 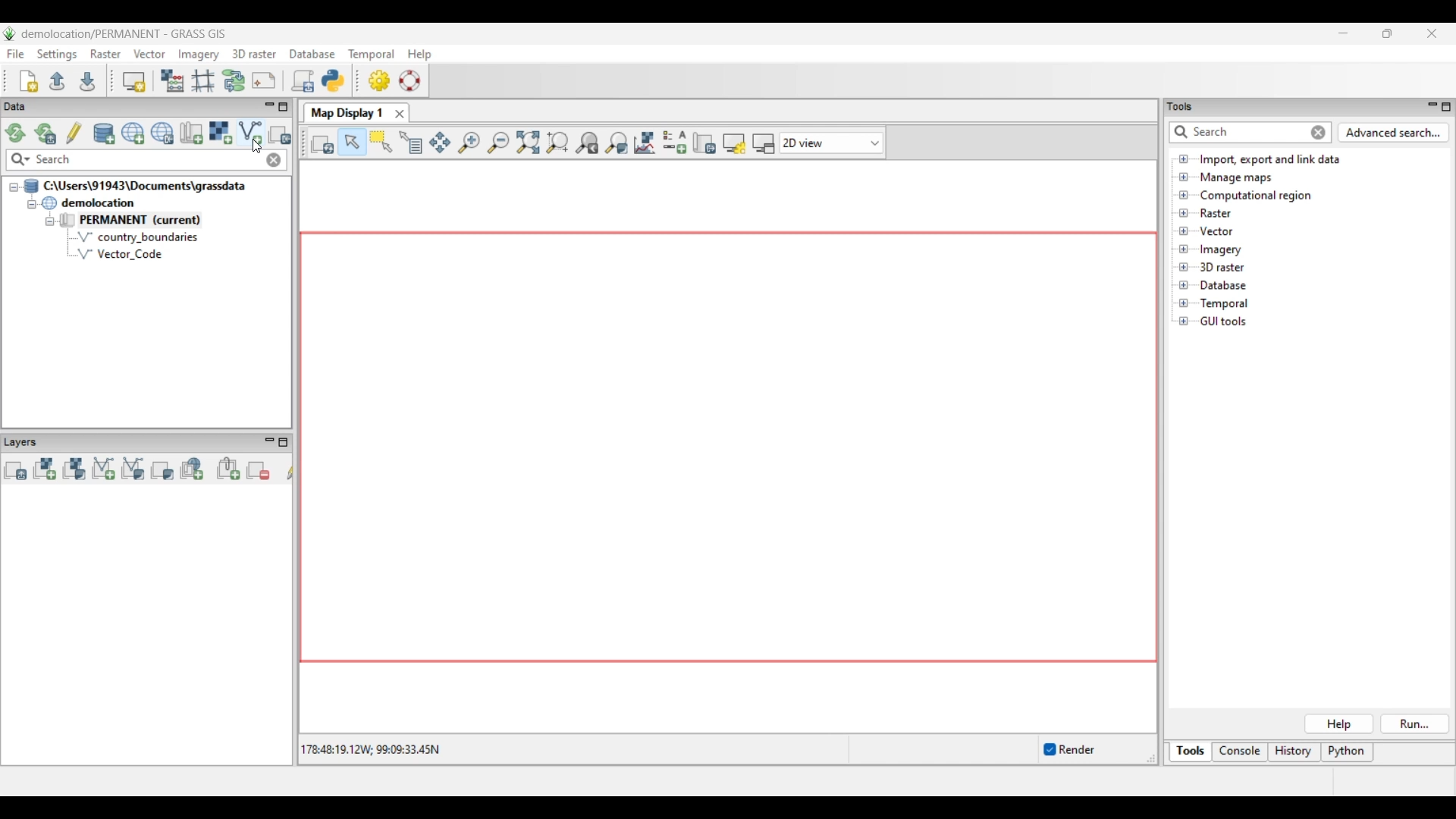 I want to click on Add vector map layer, so click(x=102, y=469).